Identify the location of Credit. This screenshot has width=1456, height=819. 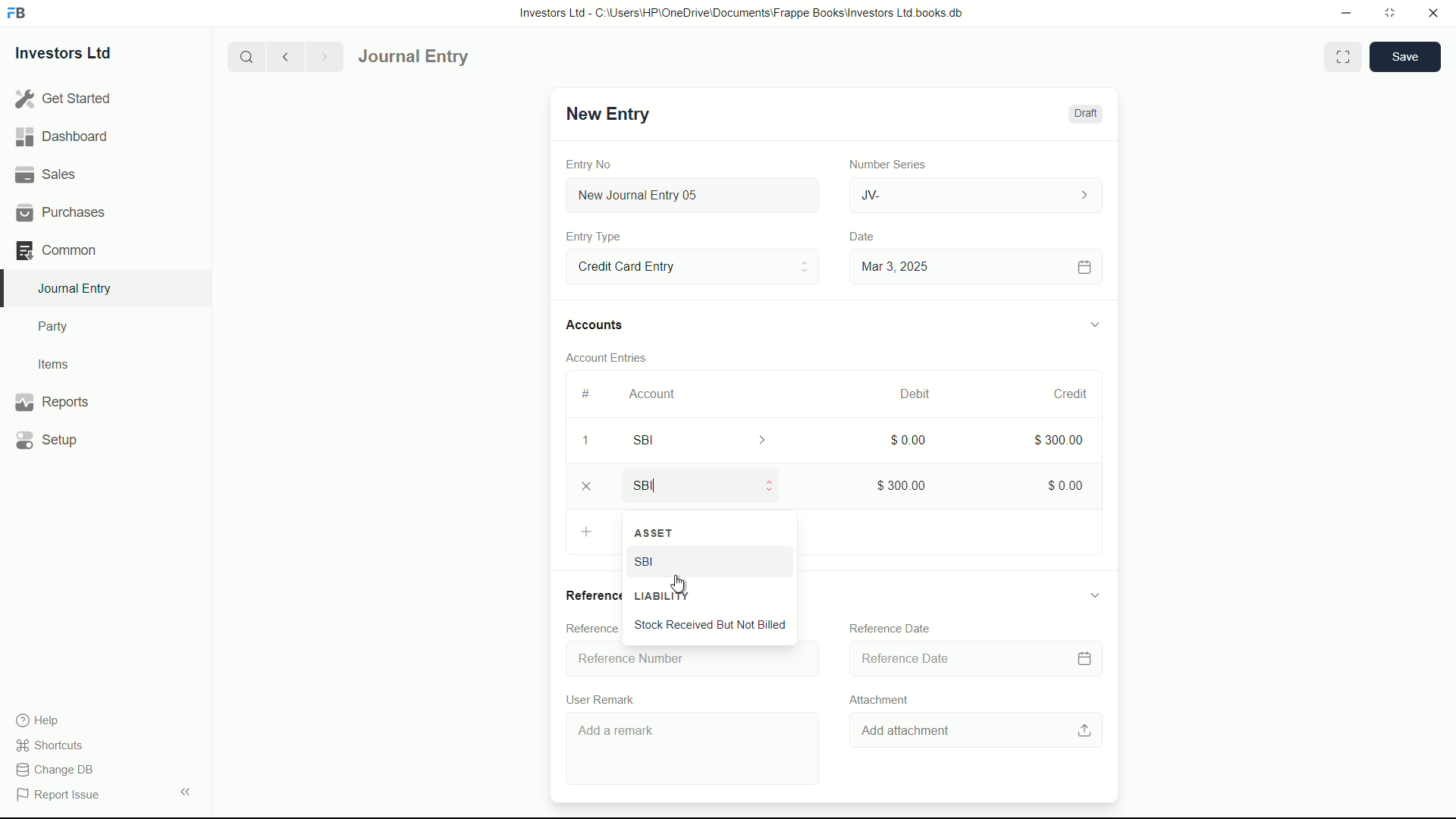
(1064, 394).